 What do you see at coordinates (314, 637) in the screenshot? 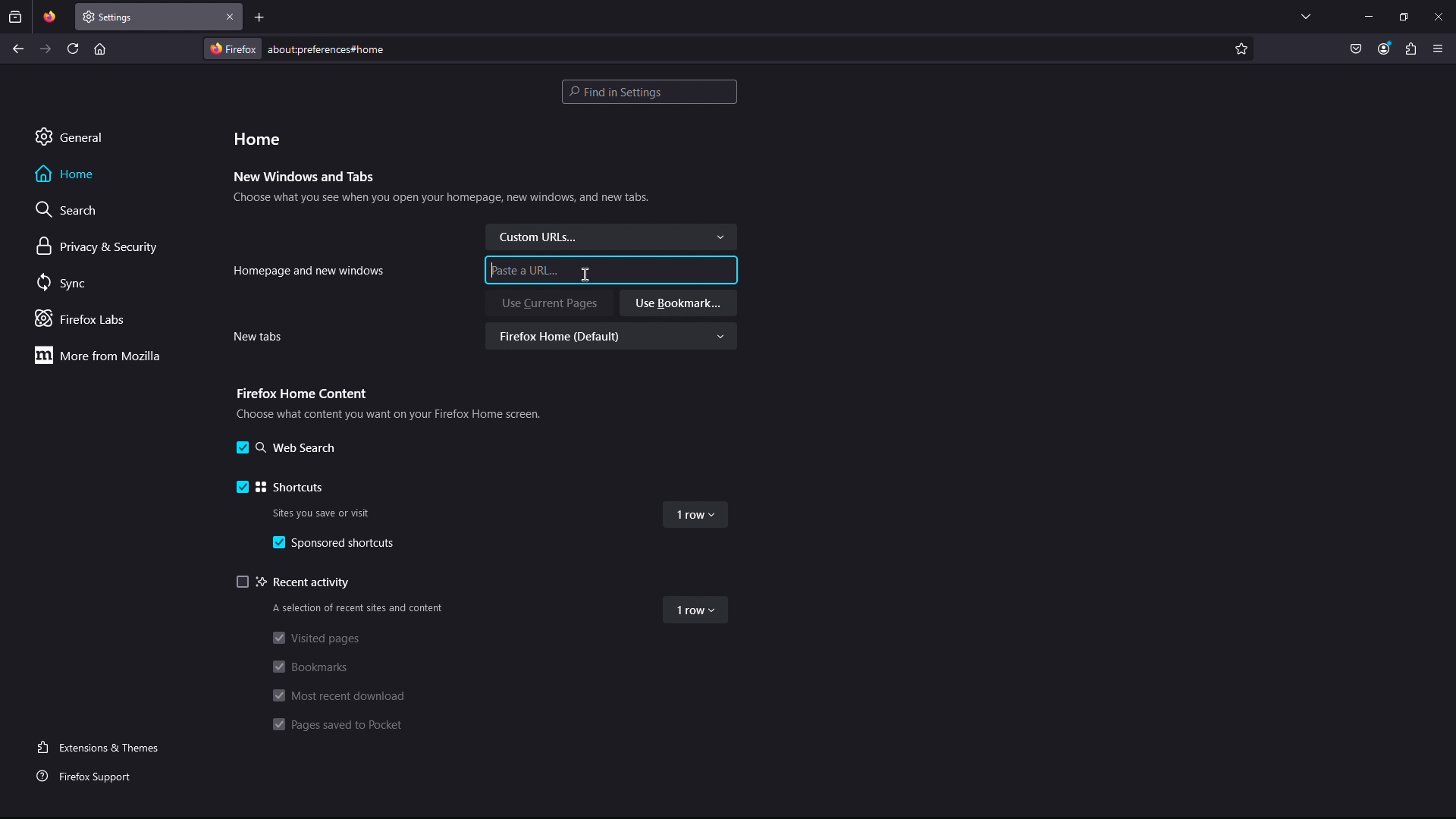
I see `Visited pages` at bounding box center [314, 637].